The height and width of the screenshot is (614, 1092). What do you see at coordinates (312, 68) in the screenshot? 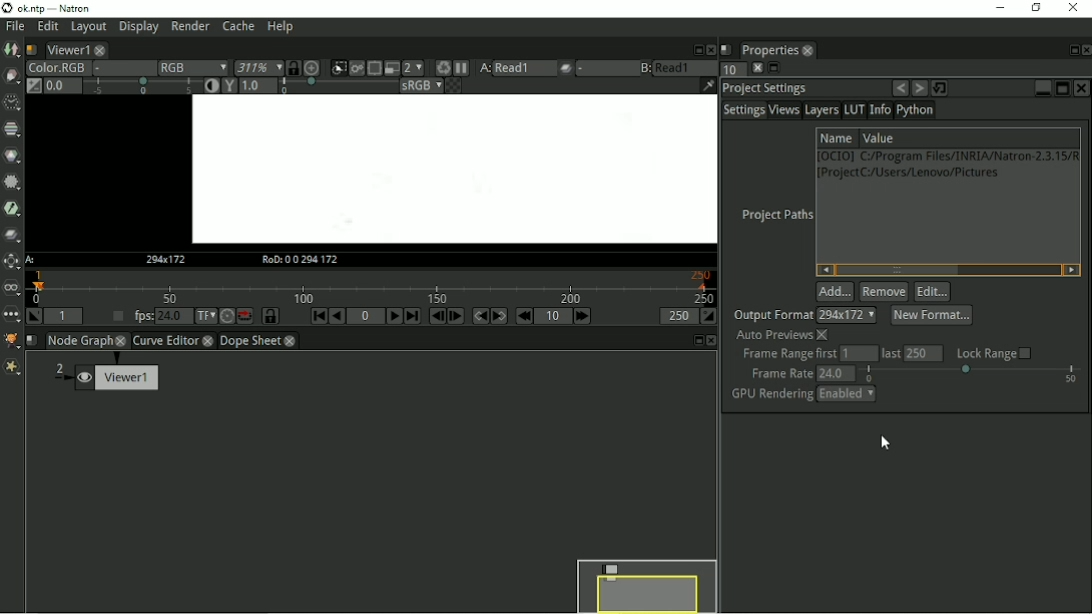
I see `Scale image` at bounding box center [312, 68].